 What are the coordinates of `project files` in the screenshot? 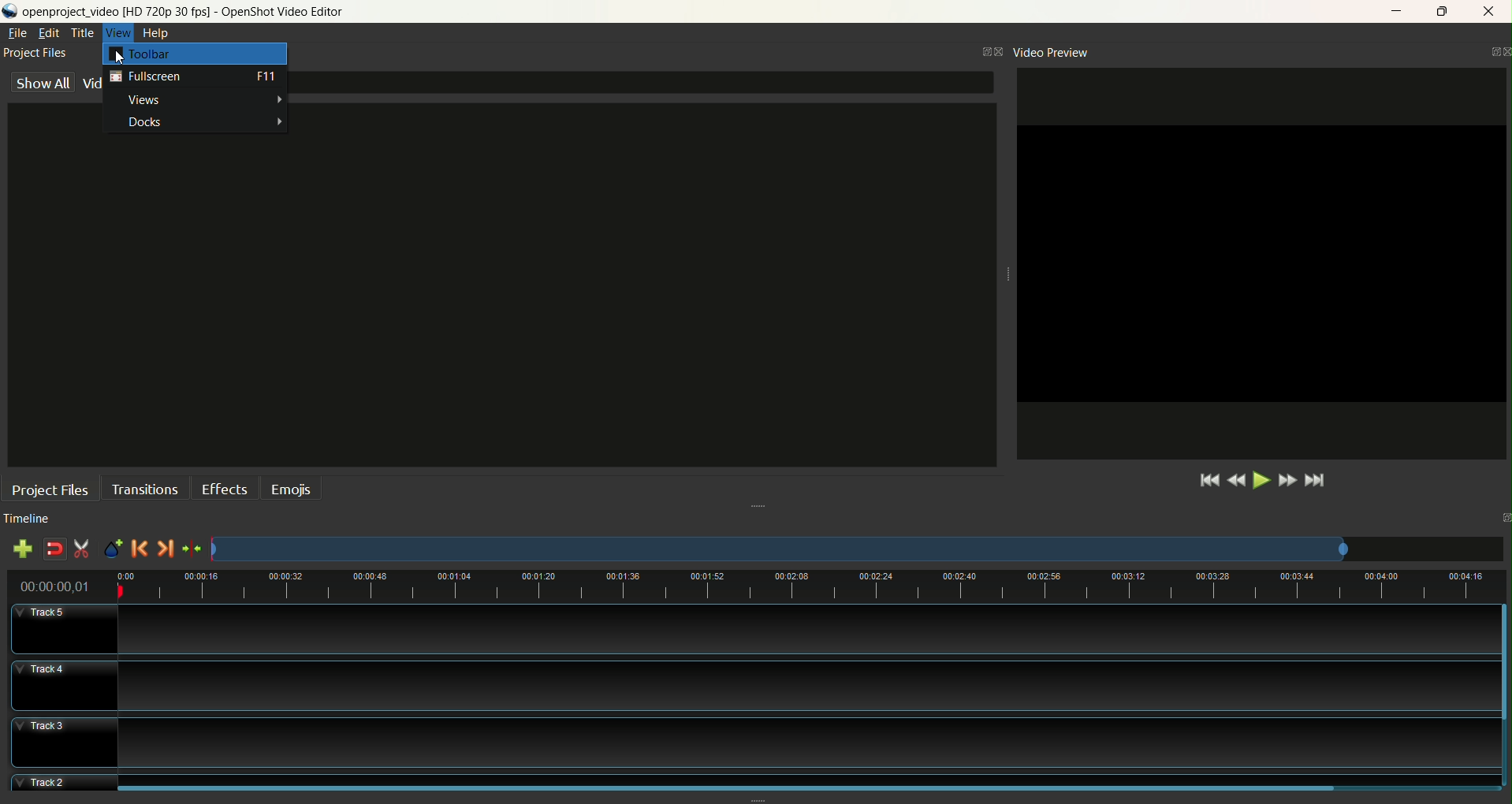 It's located at (36, 53).